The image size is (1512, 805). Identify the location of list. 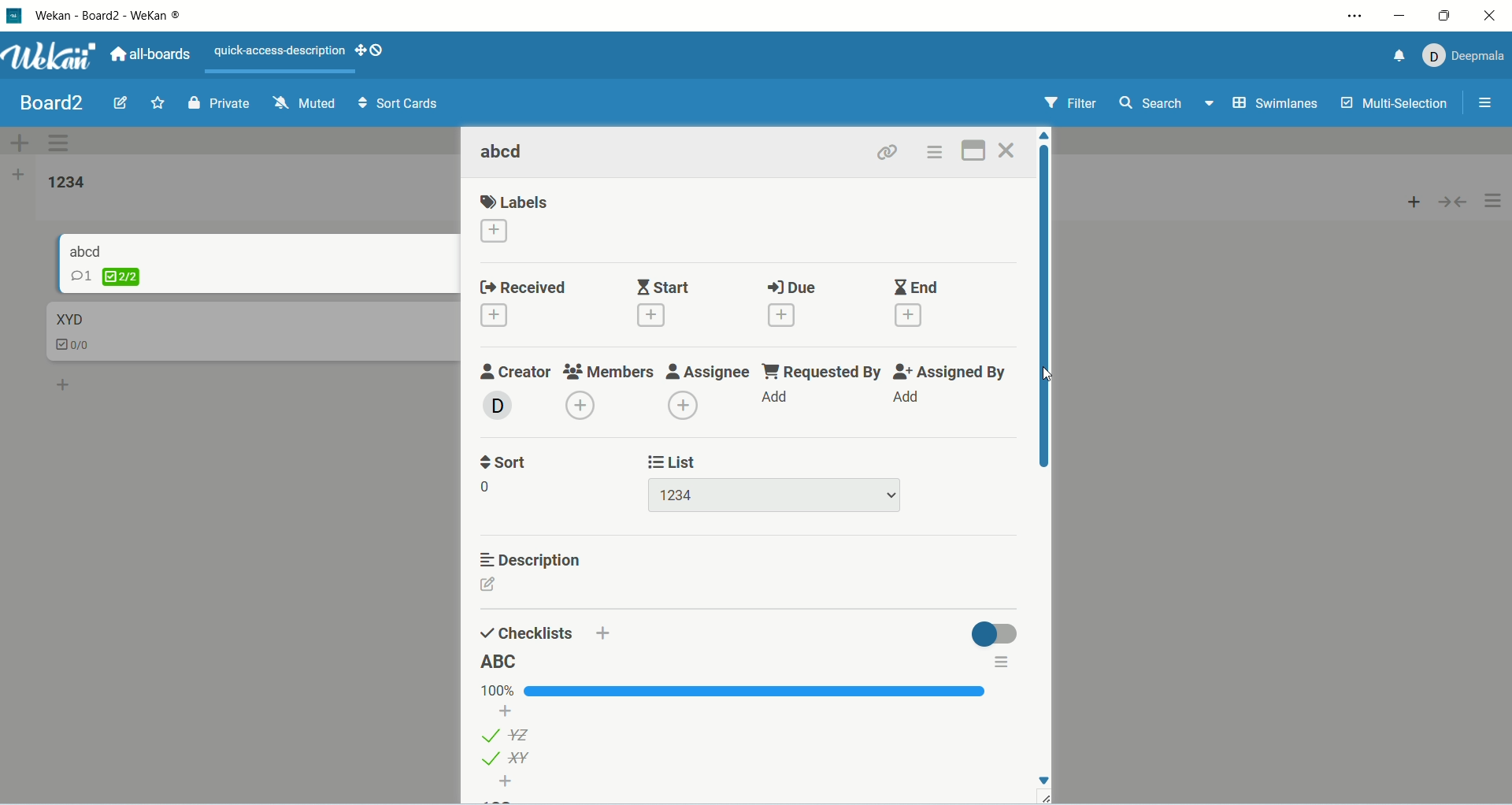
(776, 497).